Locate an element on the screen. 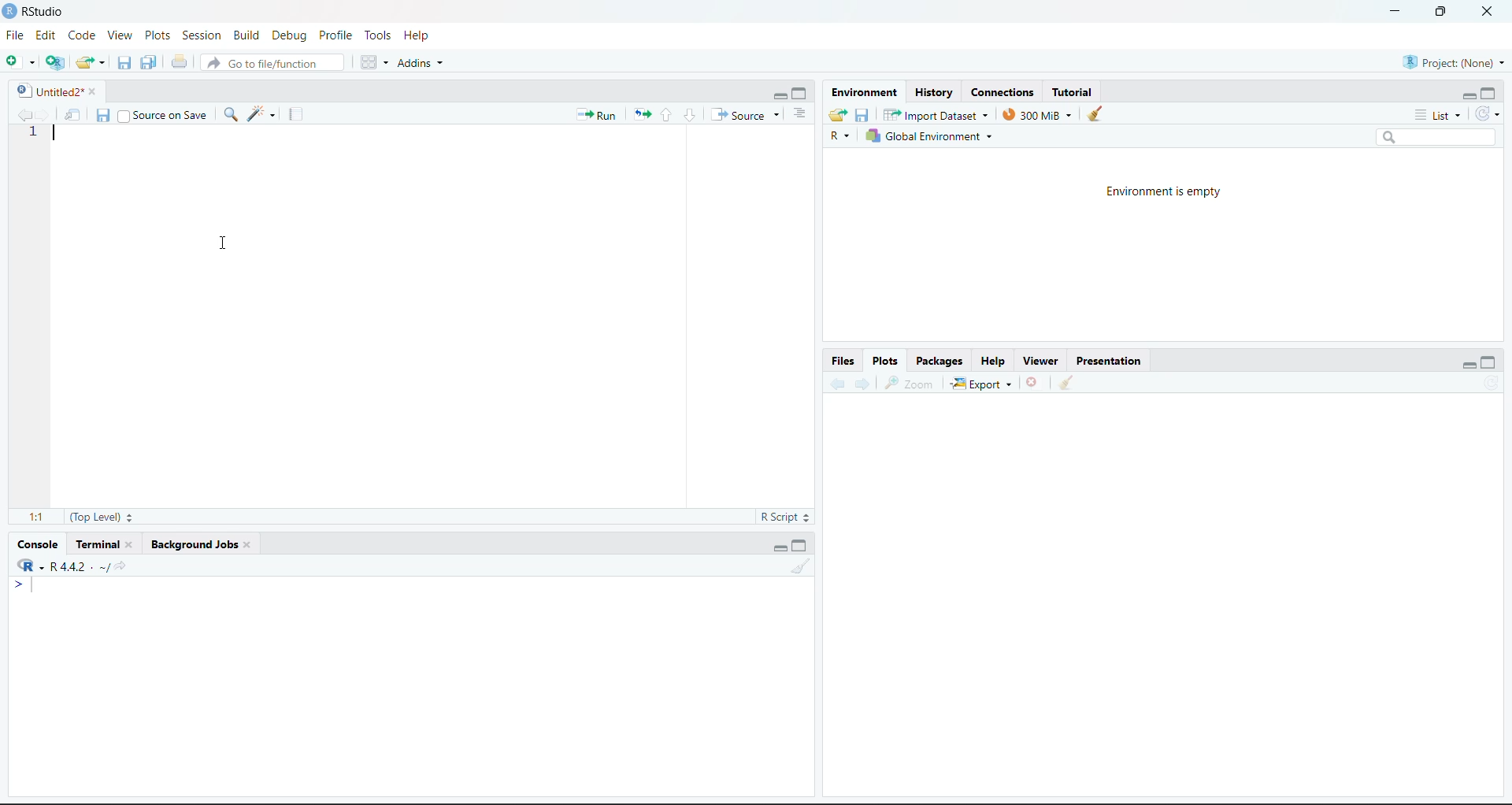 The width and height of the screenshot is (1512, 805). Environment is located at coordinates (862, 94).